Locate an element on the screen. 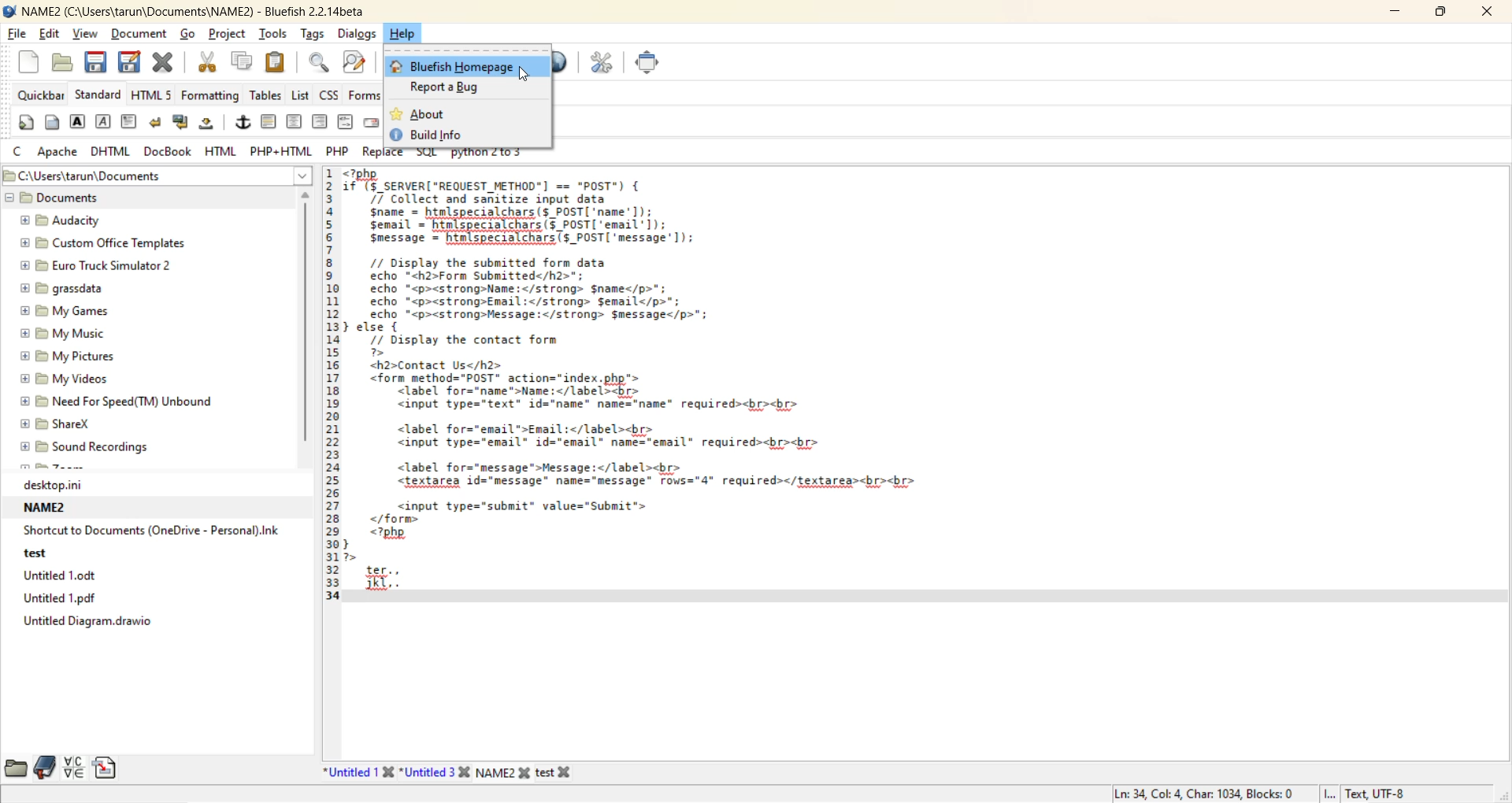 This screenshot has height=803, width=1512. Documents is located at coordinates (60, 199).